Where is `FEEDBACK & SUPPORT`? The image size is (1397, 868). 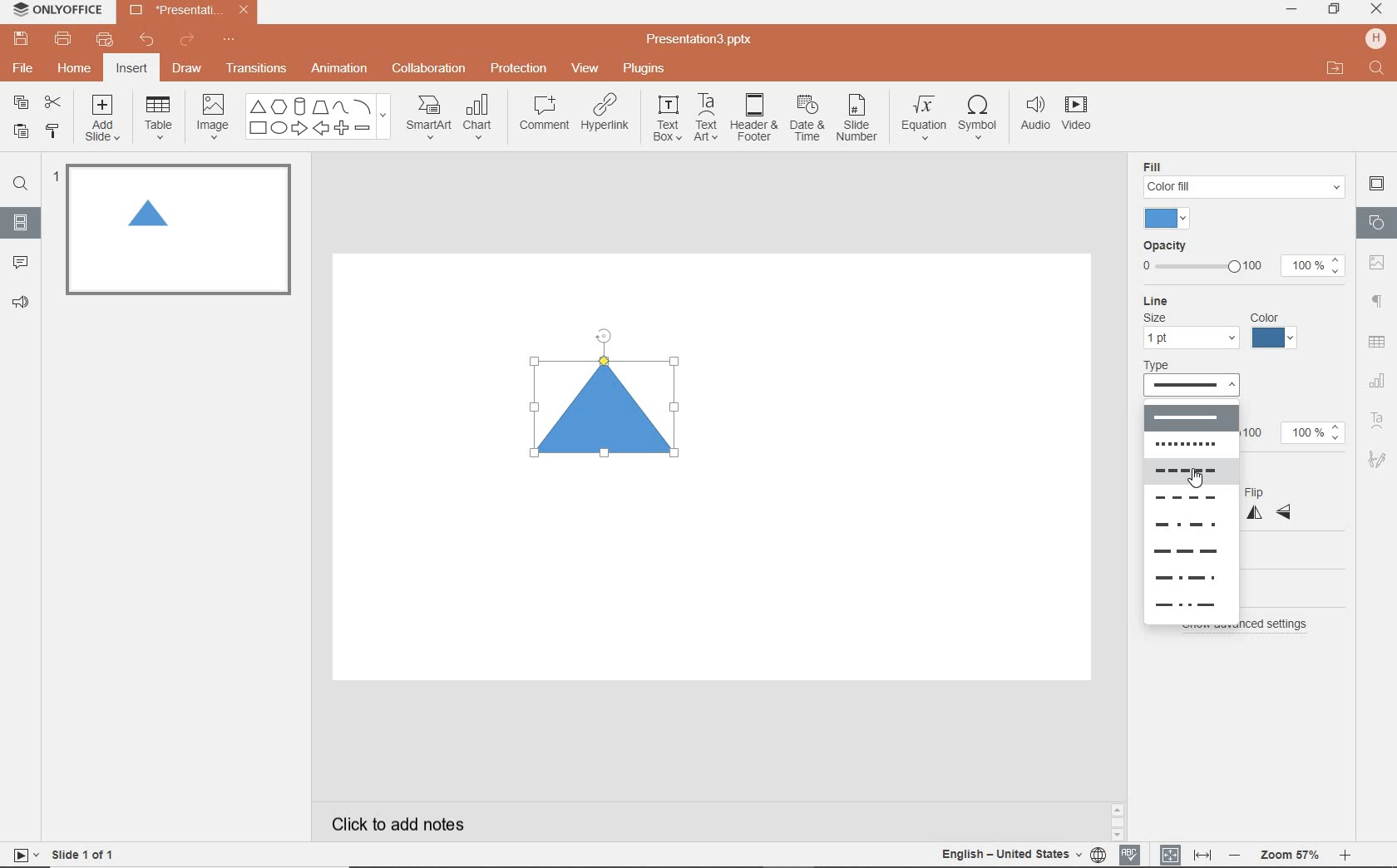 FEEDBACK & SUPPORT is located at coordinates (23, 302).